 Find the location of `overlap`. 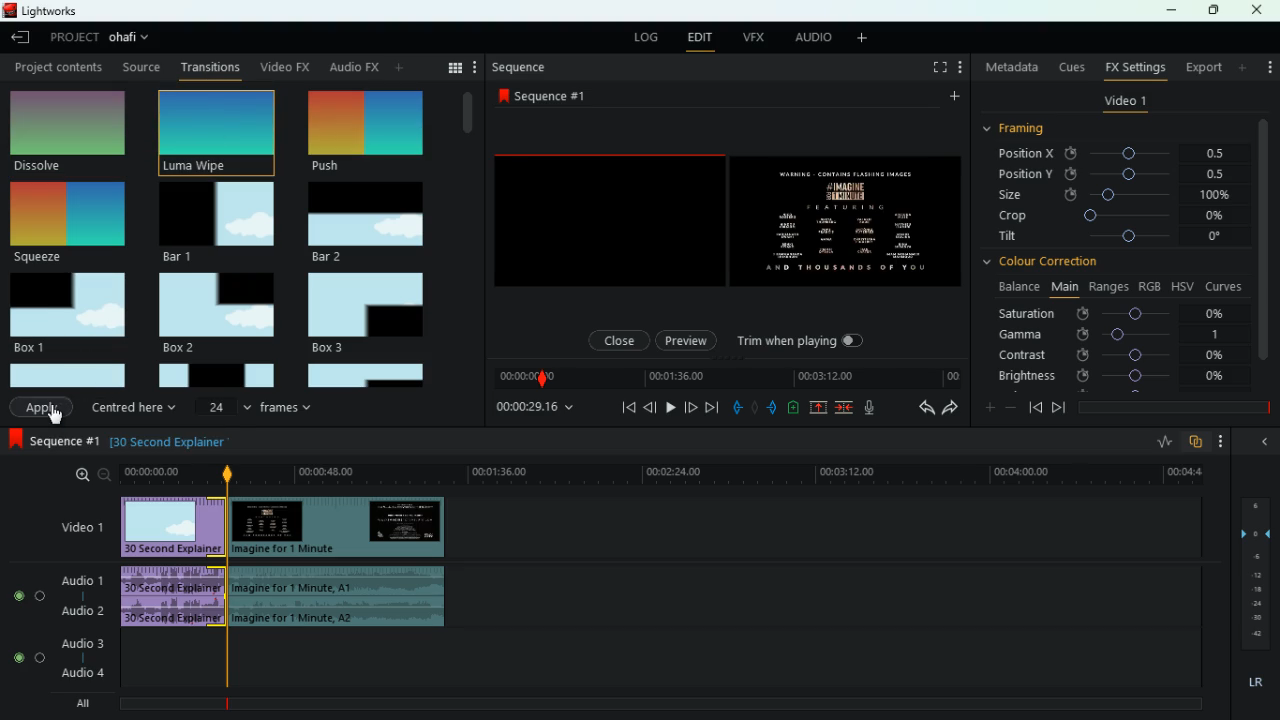

overlap is located at coordinates (1198, 442).